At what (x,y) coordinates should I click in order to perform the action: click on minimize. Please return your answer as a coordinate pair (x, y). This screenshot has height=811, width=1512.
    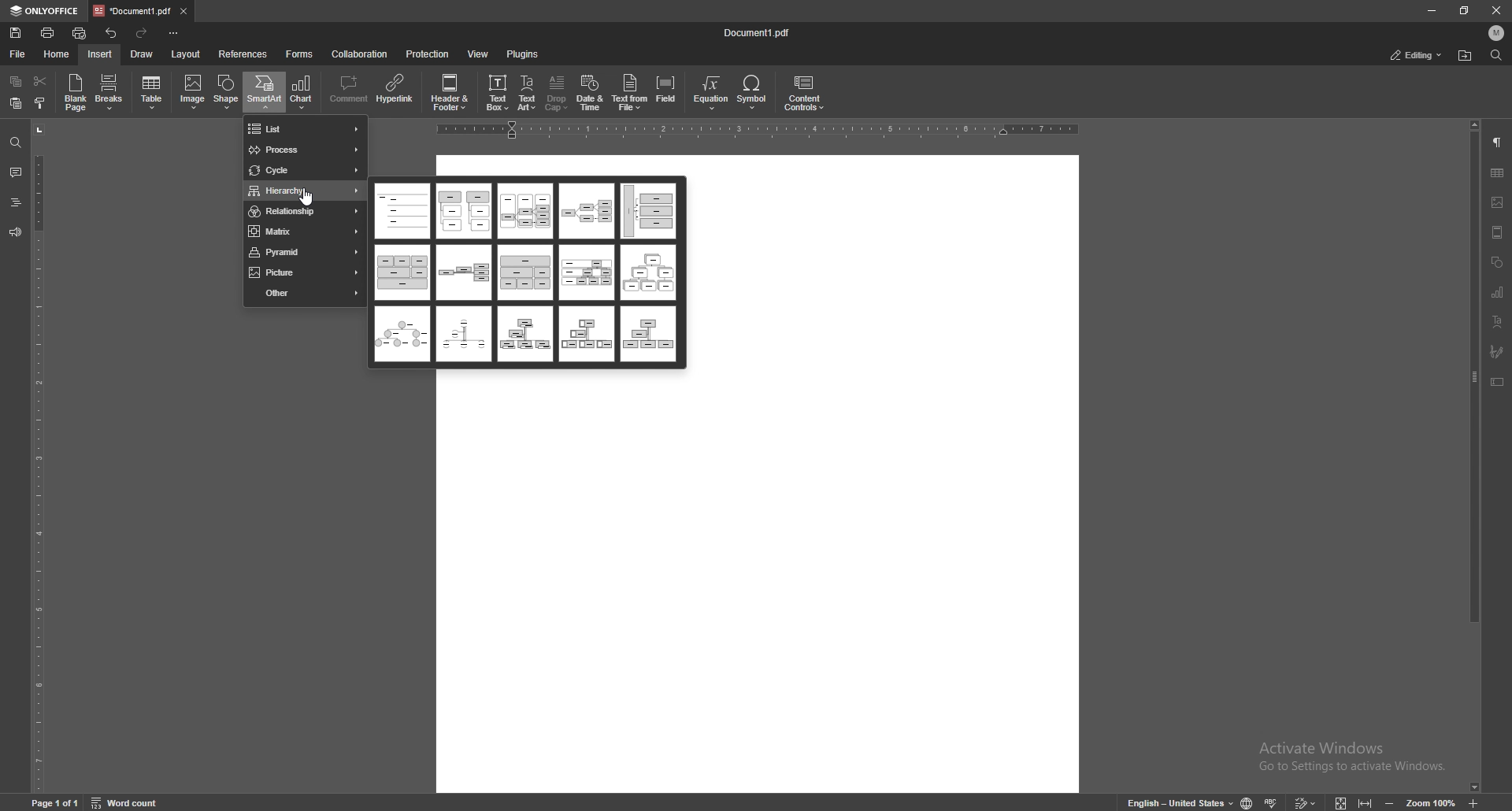
    Looking at the image, I should click on (1432, 10).